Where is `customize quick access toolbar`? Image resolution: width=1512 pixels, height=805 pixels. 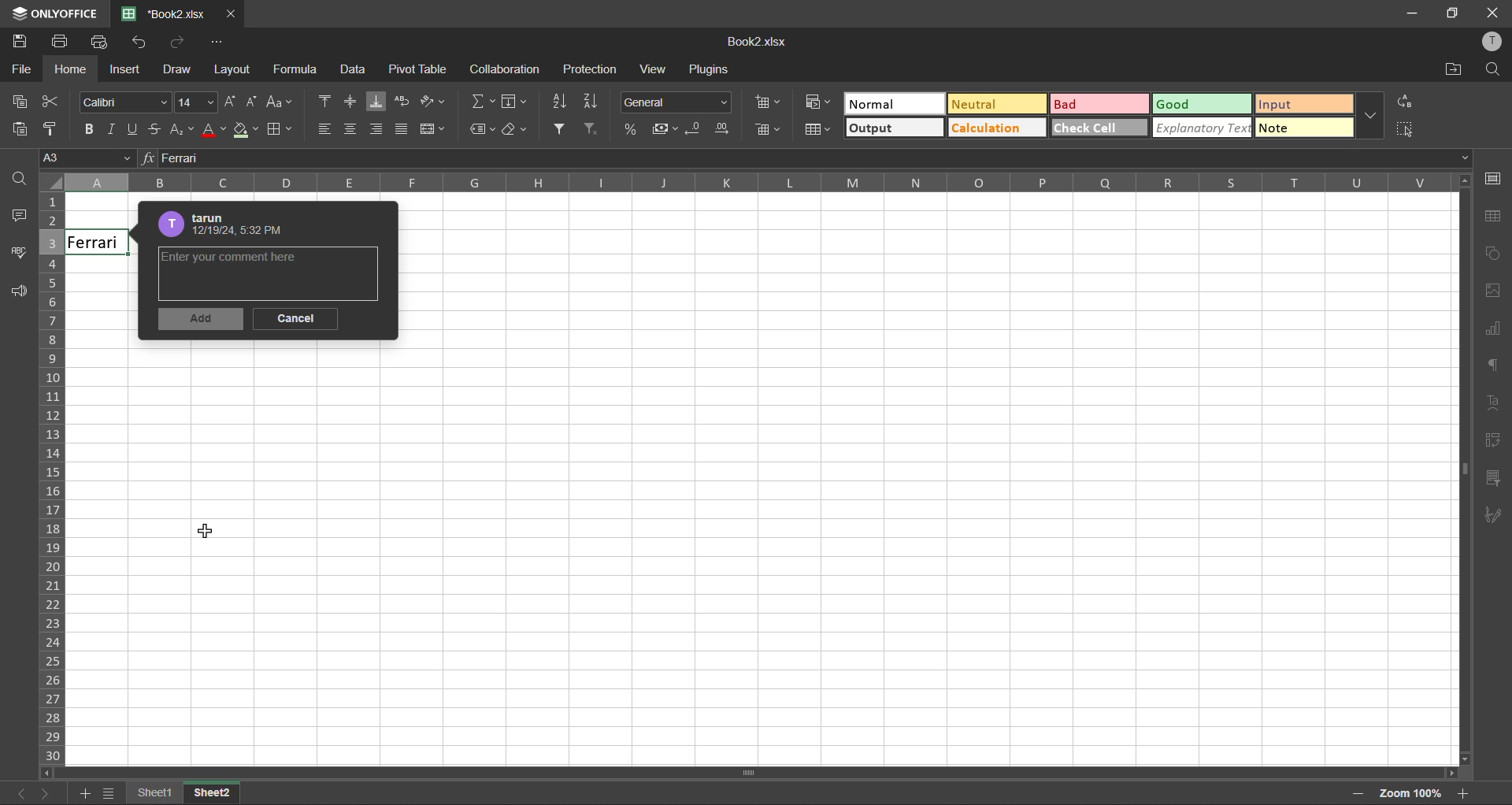
customize quick access toolbar is located at coordinates (224, 42).